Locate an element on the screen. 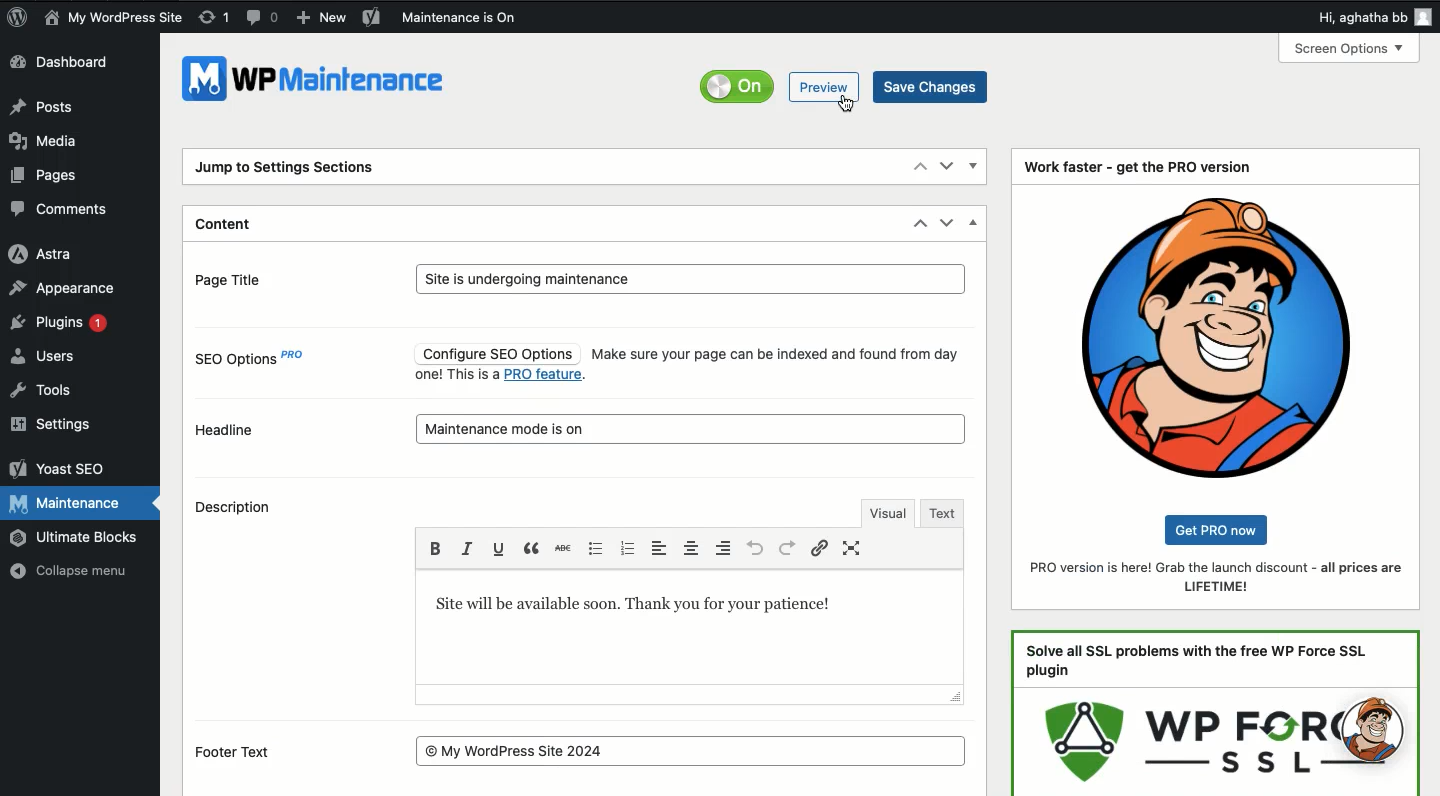 Image resolution: width=1440 pixels, height=796 pixels. Make sure your page can be indexed and found from day is located at coordinates (775, 354).